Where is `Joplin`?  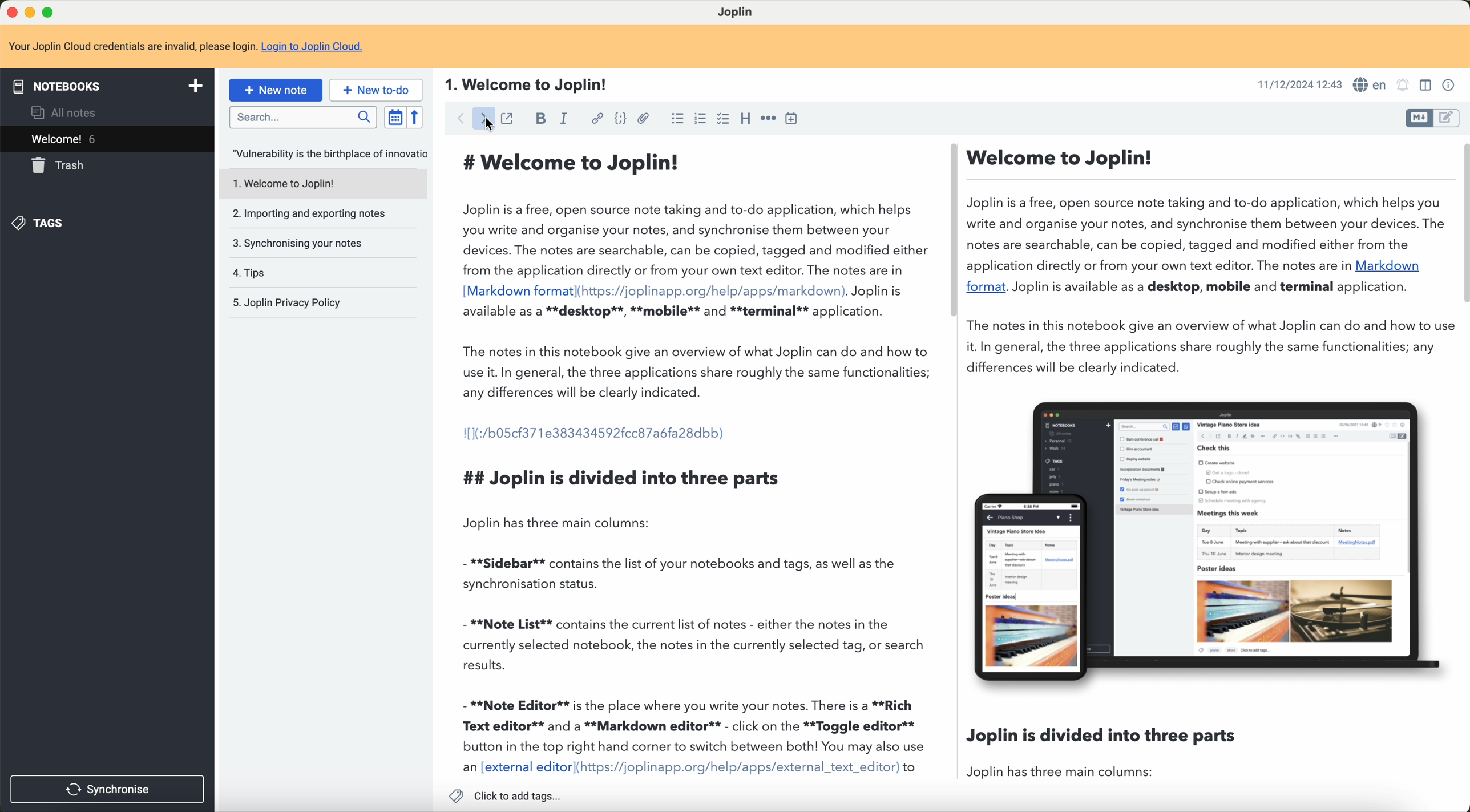
Joplin is located at coordinates (737, 13).